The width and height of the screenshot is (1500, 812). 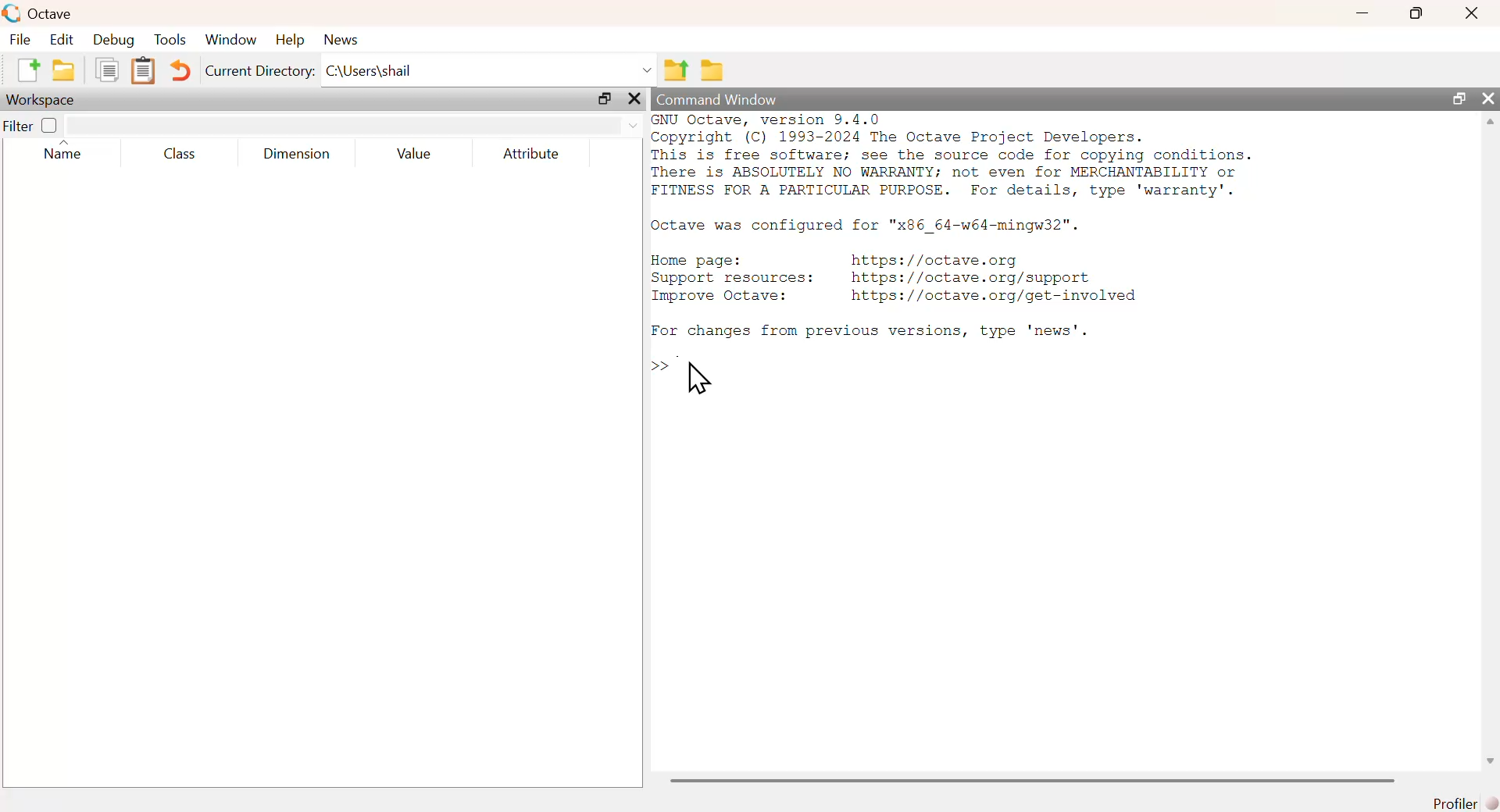 I want to click on filter, so click(x=16, y=126).